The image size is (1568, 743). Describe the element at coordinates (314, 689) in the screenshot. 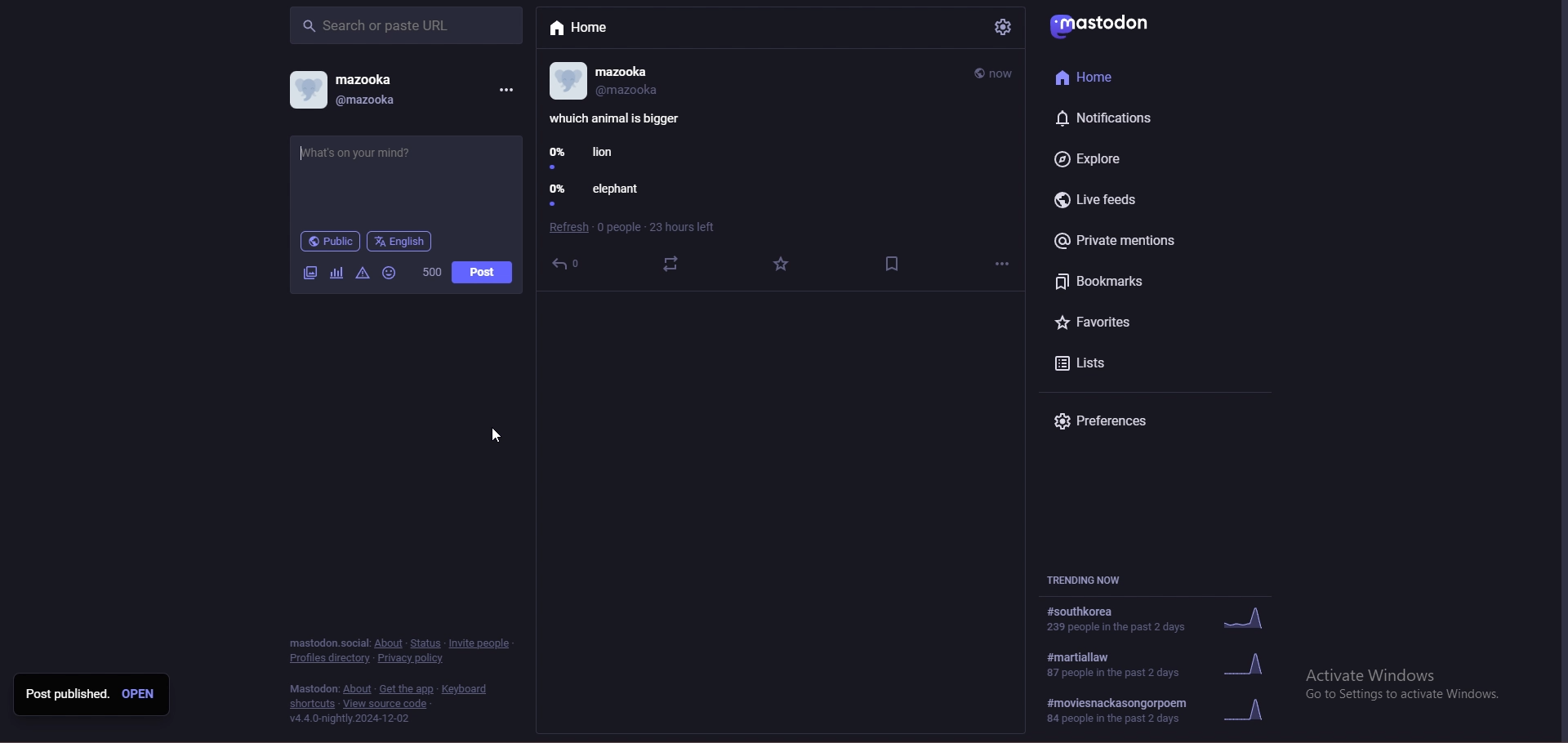

I see `mastodon` at that location.